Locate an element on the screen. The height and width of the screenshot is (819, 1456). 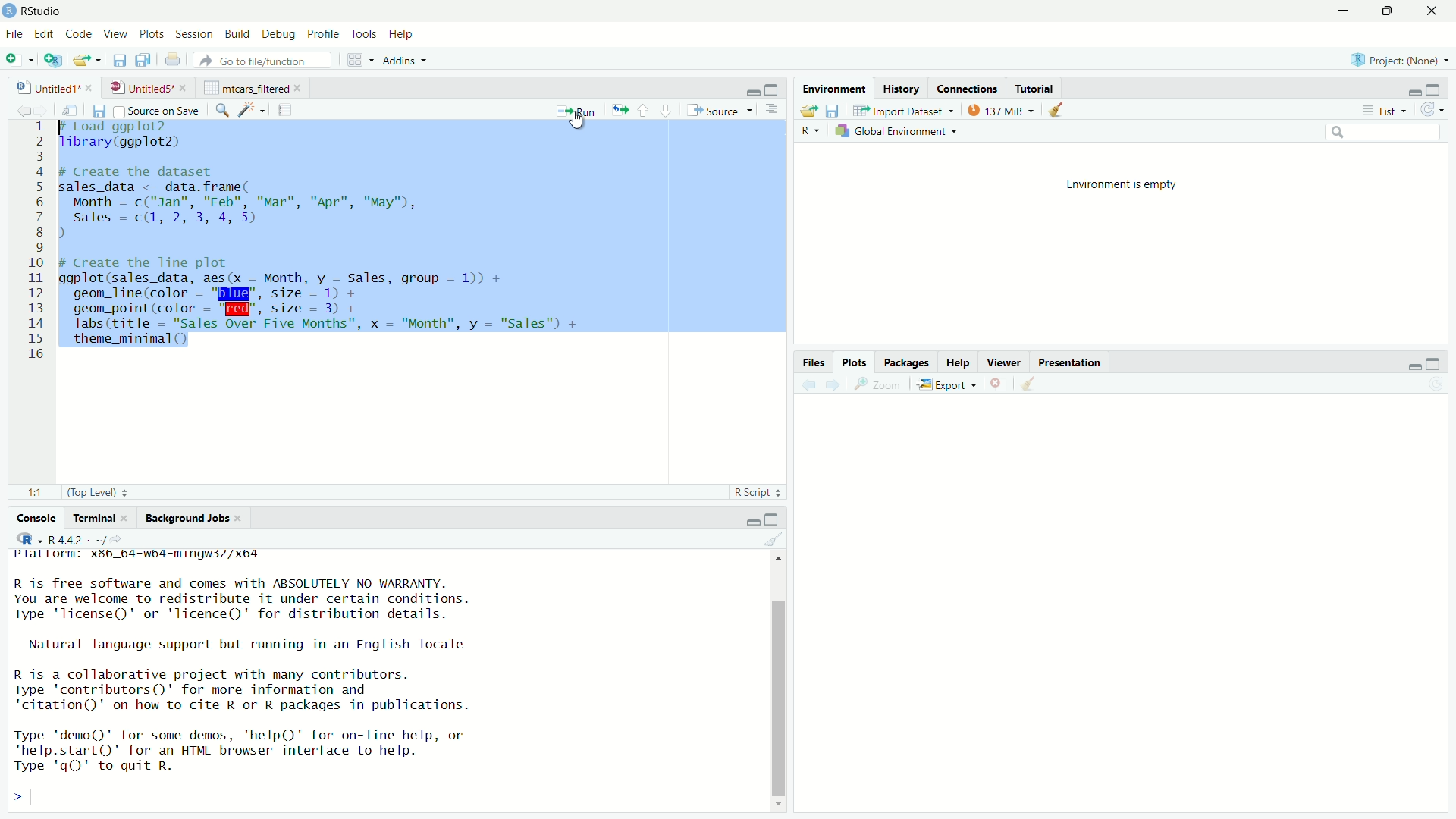
R Script is located at coordinates (753, 492).